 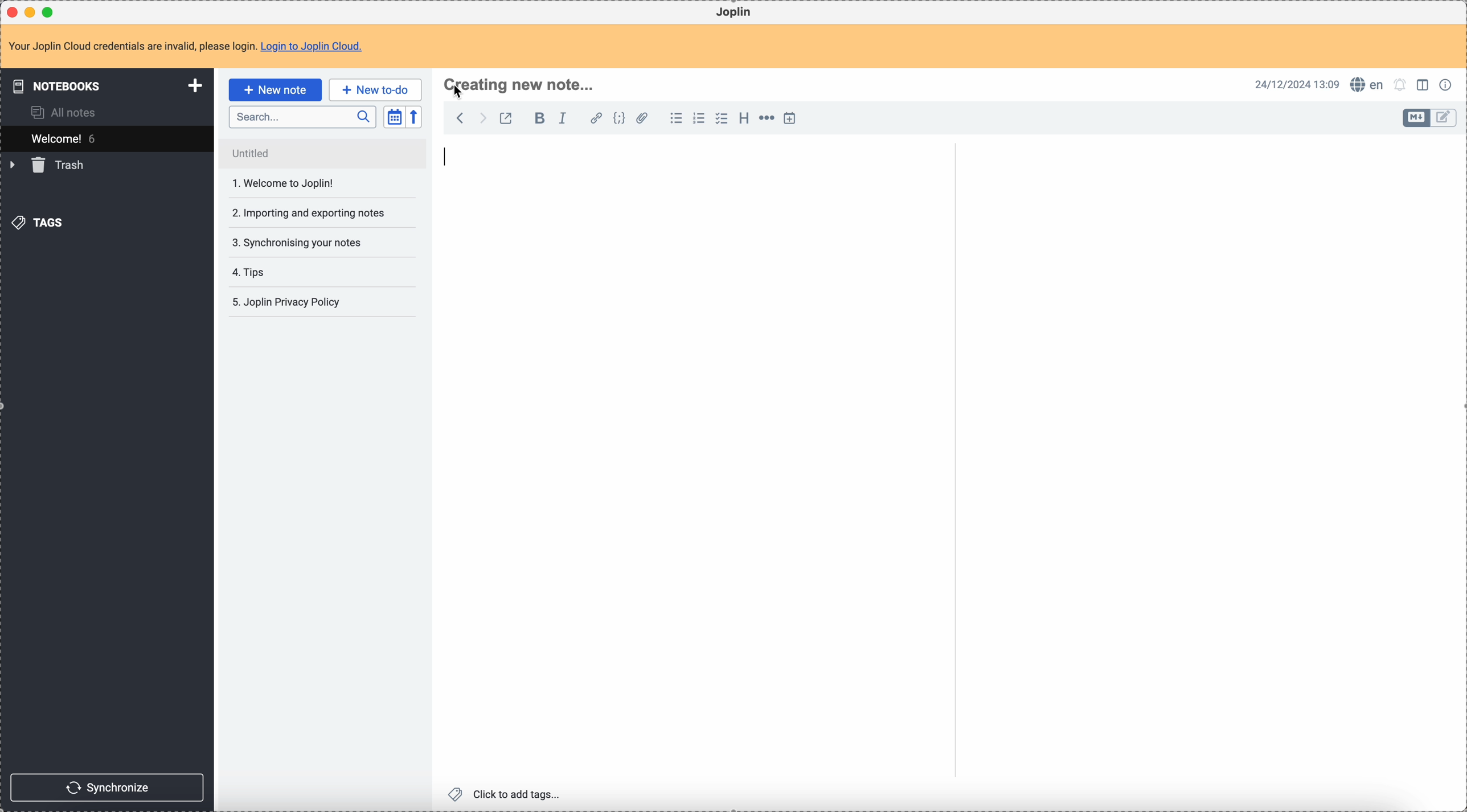 I want to click on click on new note, so click(x=274, y=89).